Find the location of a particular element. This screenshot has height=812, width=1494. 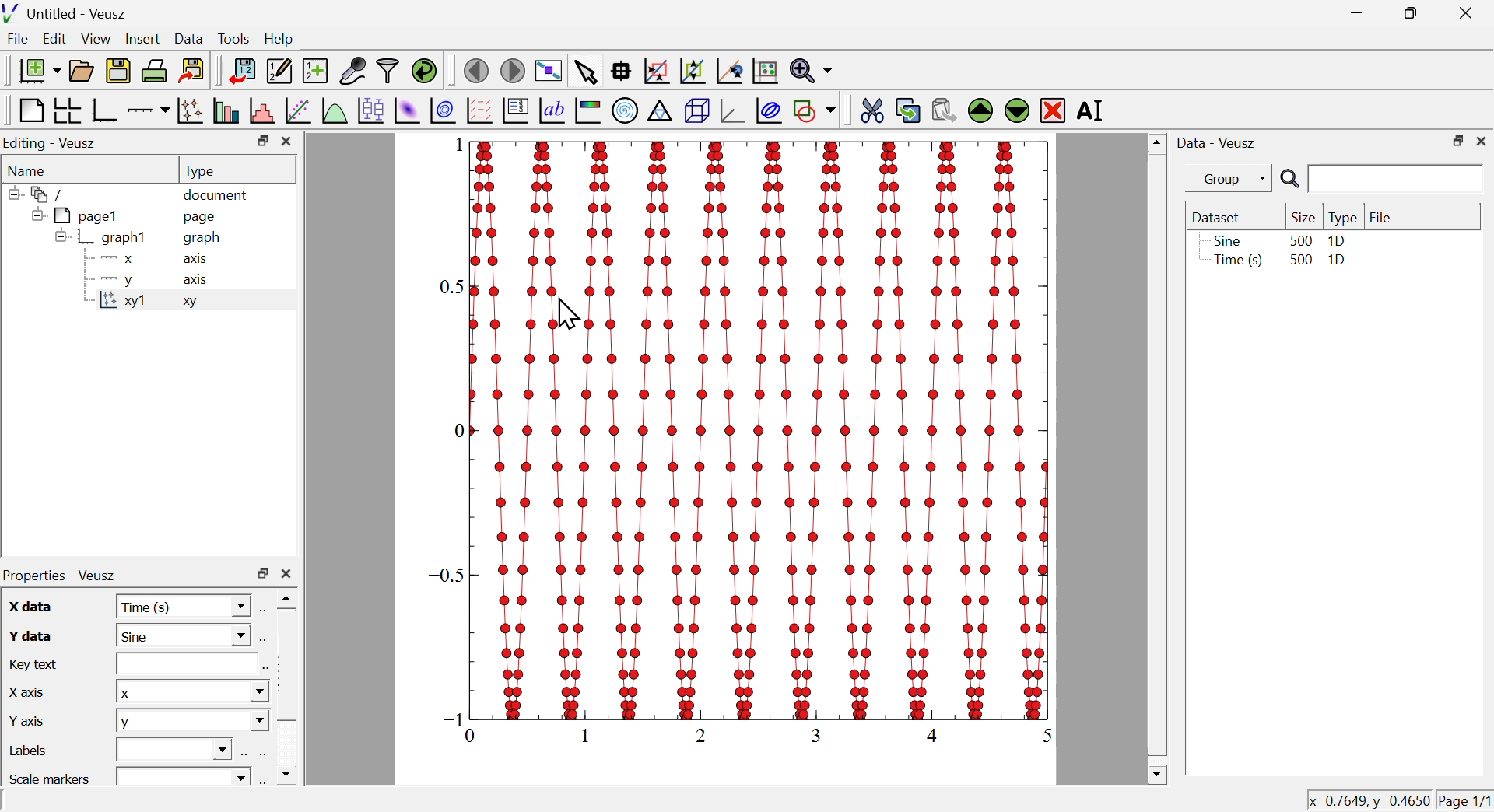

capture remote data is located at coordinates (352, 71).